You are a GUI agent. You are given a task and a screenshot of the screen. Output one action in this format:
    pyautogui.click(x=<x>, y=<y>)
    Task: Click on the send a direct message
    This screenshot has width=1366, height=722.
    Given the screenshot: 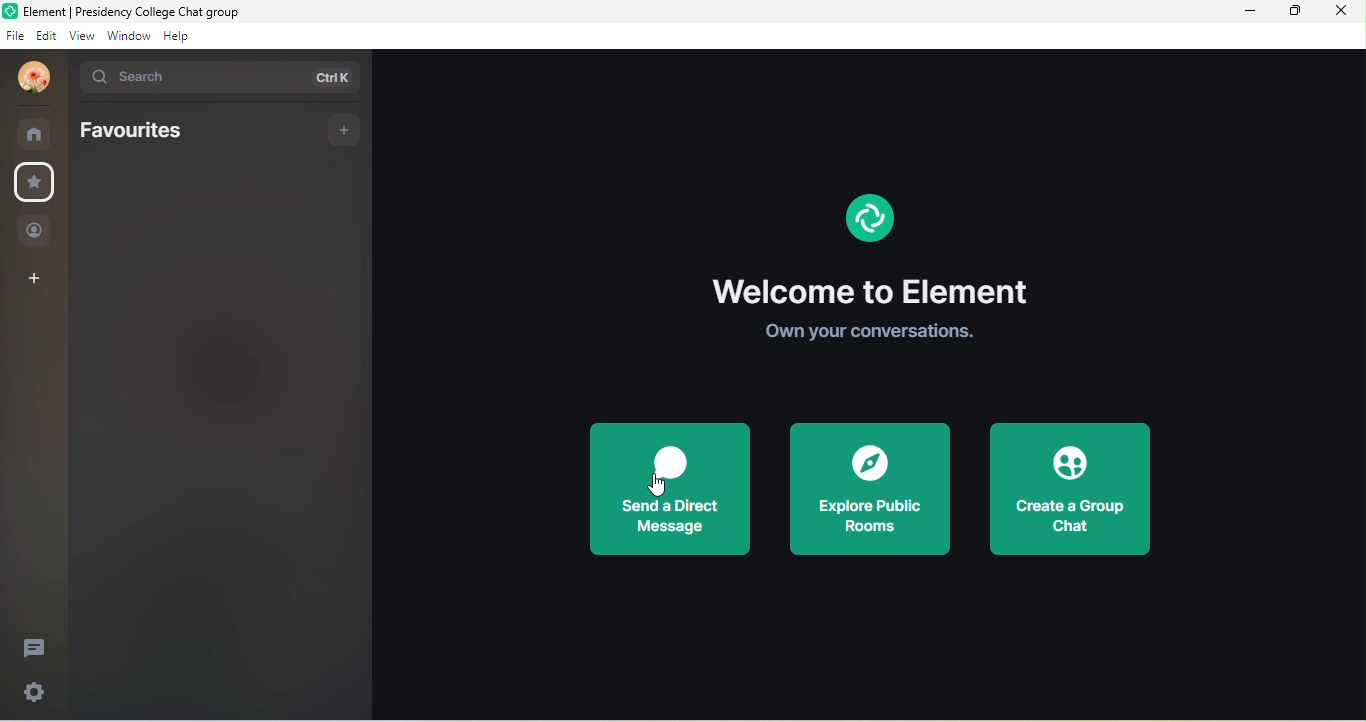 What is the action you would take?
    pyautogui.click(x=671, y=489)
    